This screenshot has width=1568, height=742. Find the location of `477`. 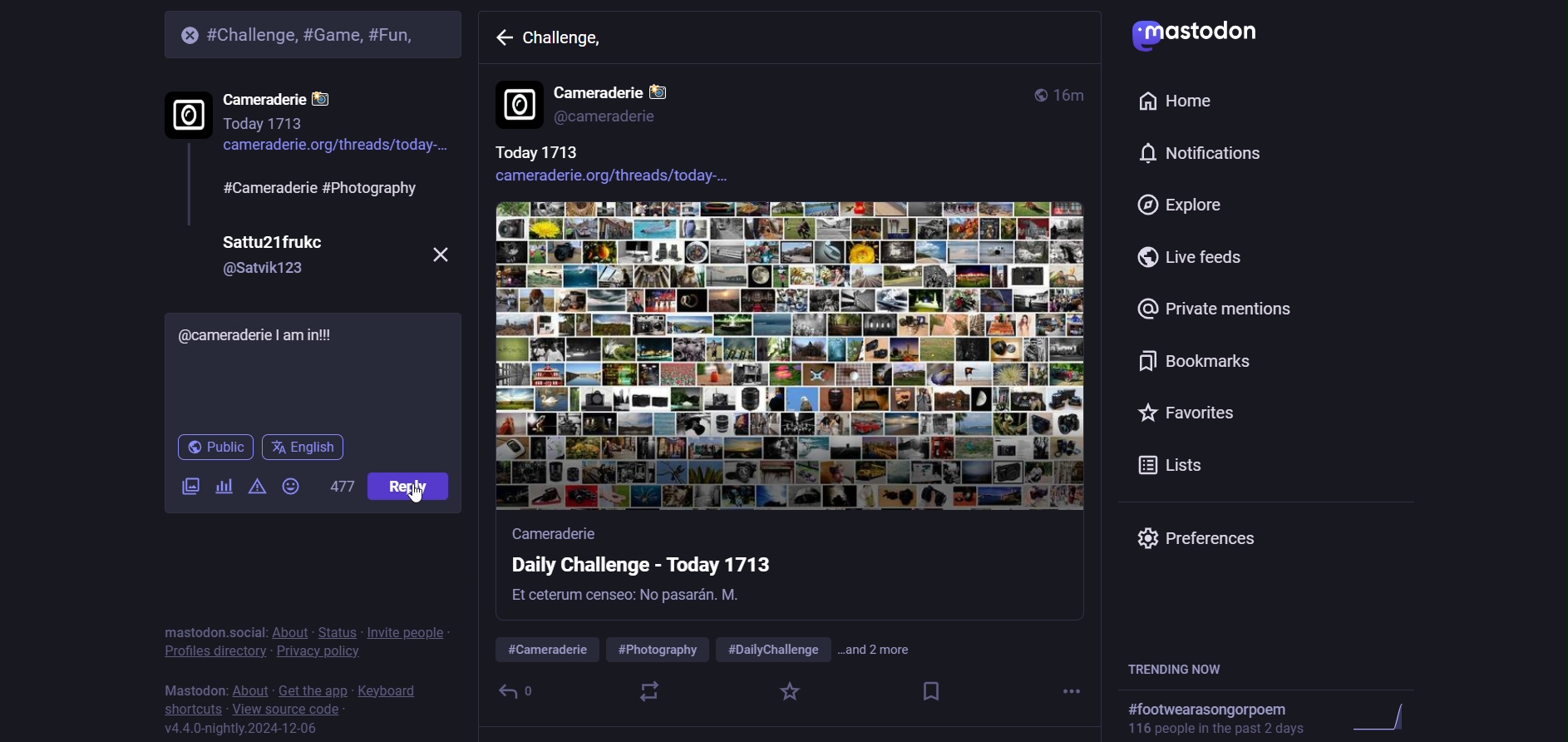

477 is located at coordinates (339, 486).